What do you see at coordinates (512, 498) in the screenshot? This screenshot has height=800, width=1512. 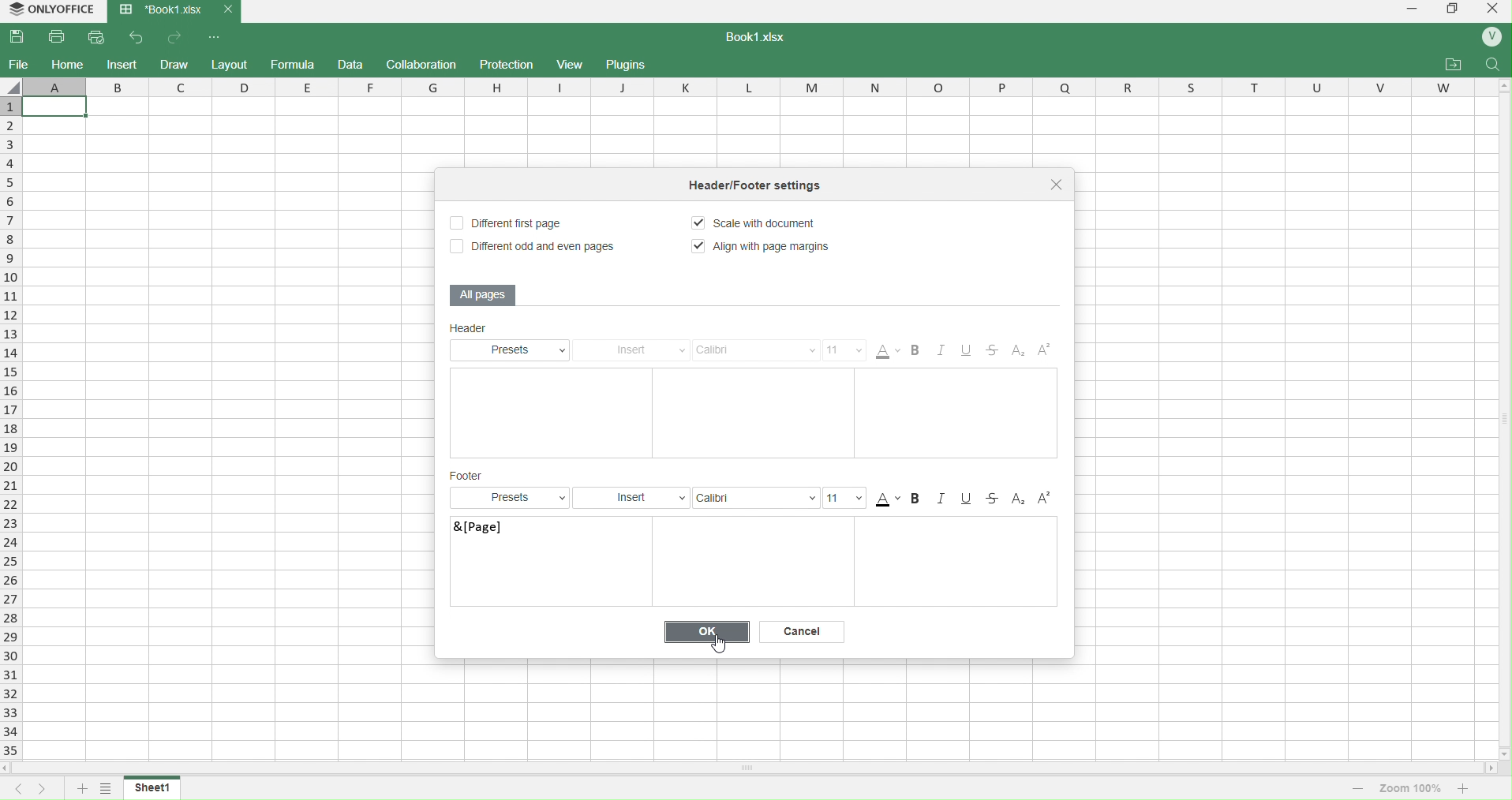 I see `Presets` at bounding box center [512, 498].